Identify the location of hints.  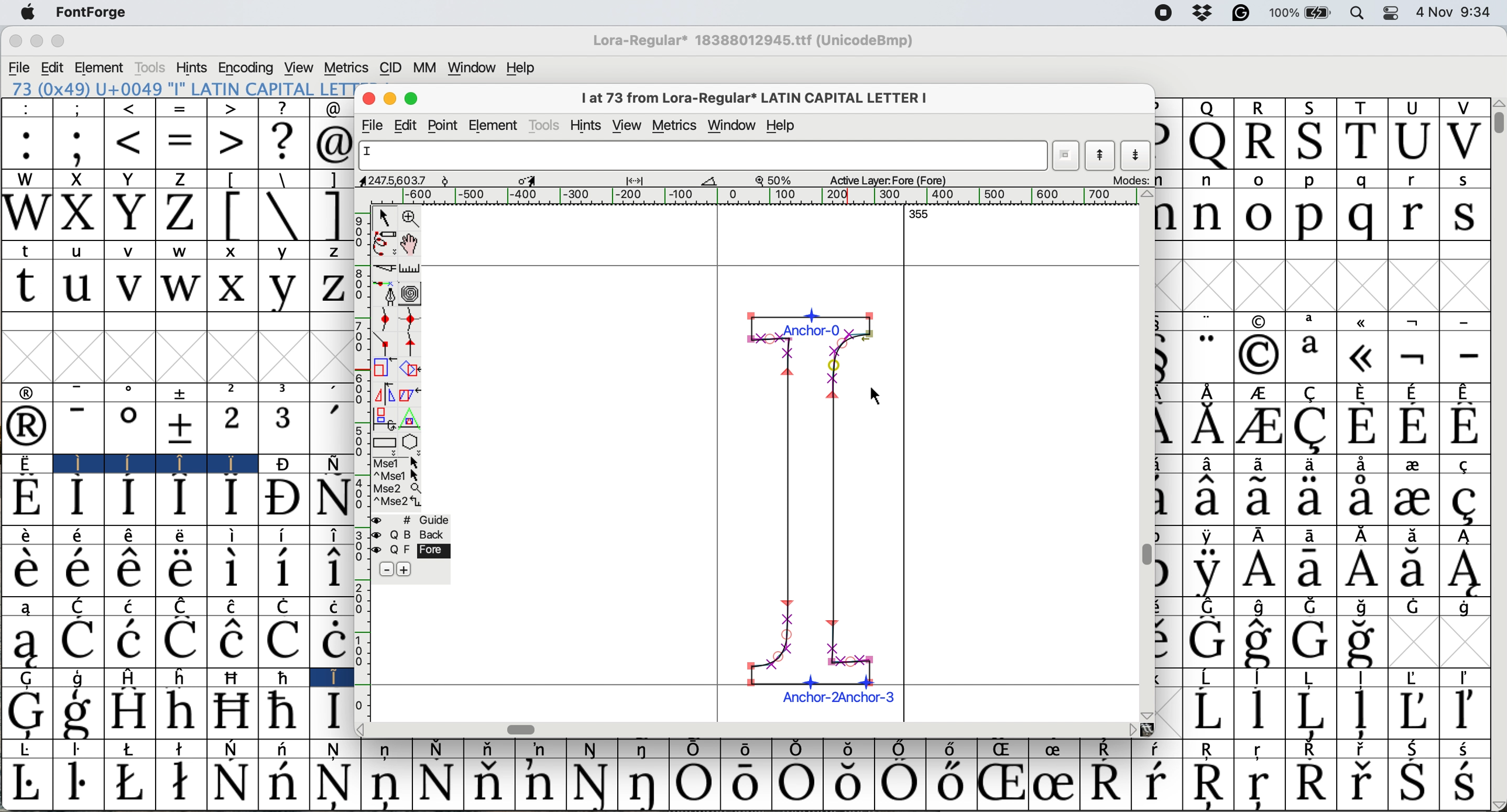
(193, 68).